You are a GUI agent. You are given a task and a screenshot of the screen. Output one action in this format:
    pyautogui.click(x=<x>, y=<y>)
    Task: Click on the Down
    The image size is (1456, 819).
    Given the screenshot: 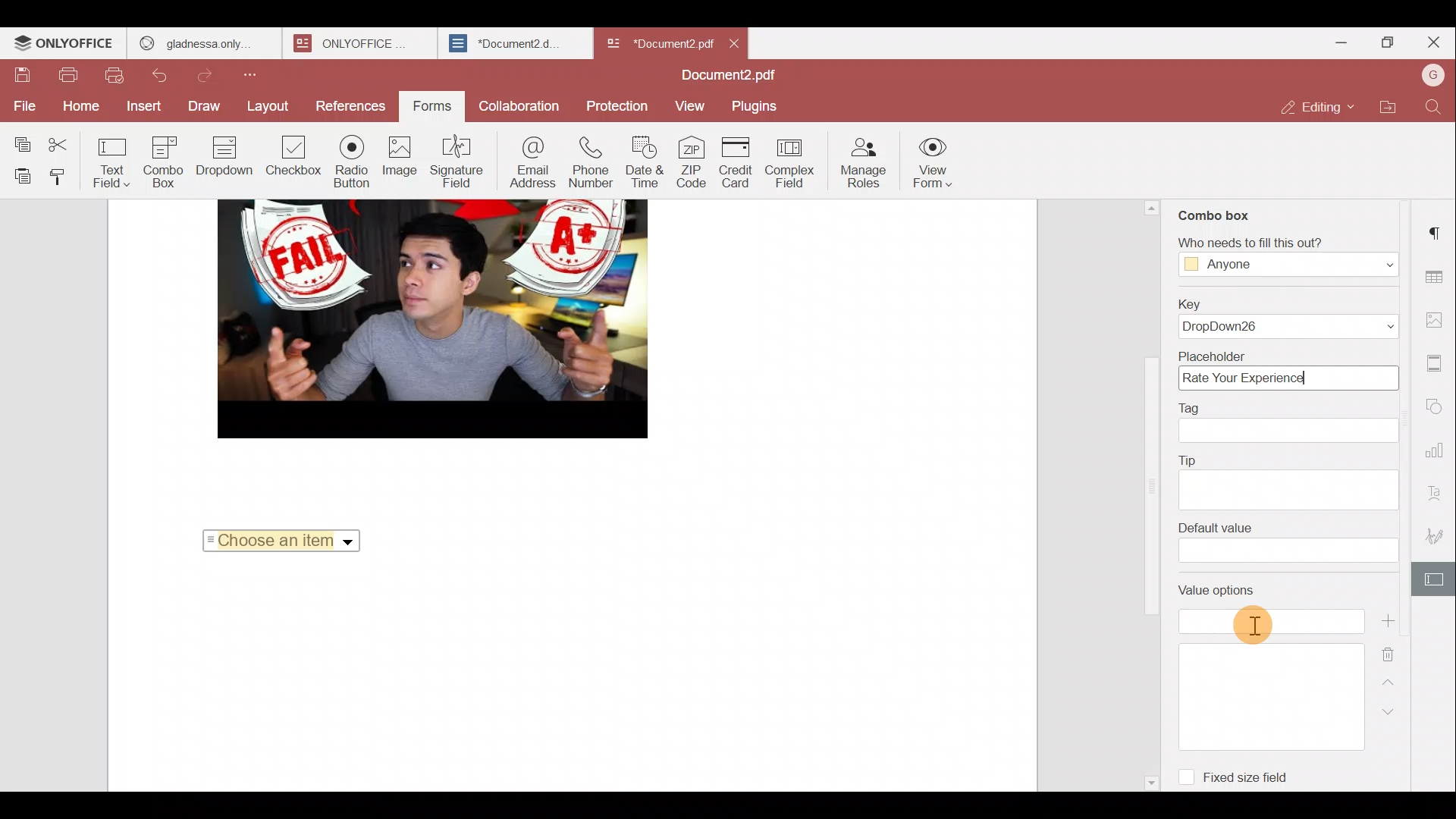 What is the action you would take?
    pyautogui.click(x=1395, y=718)
    